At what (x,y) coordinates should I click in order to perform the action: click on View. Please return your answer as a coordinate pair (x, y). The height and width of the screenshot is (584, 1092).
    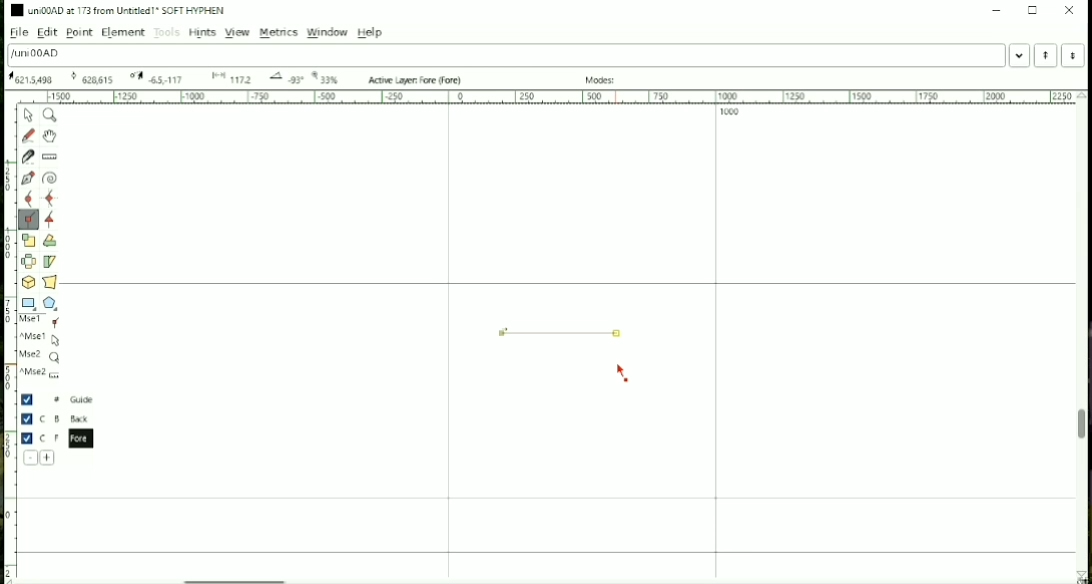
    Looking at the image, I should click on (236, 32).